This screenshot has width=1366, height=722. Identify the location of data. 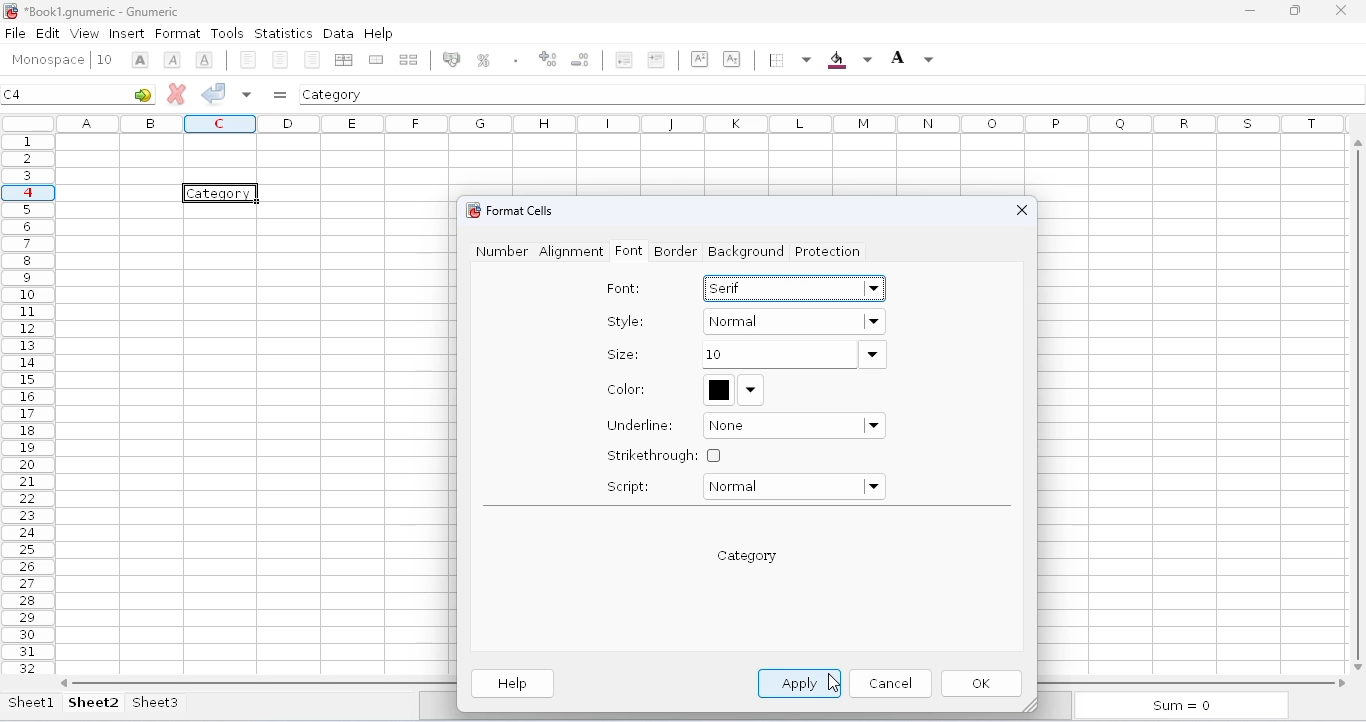
(338, 33).